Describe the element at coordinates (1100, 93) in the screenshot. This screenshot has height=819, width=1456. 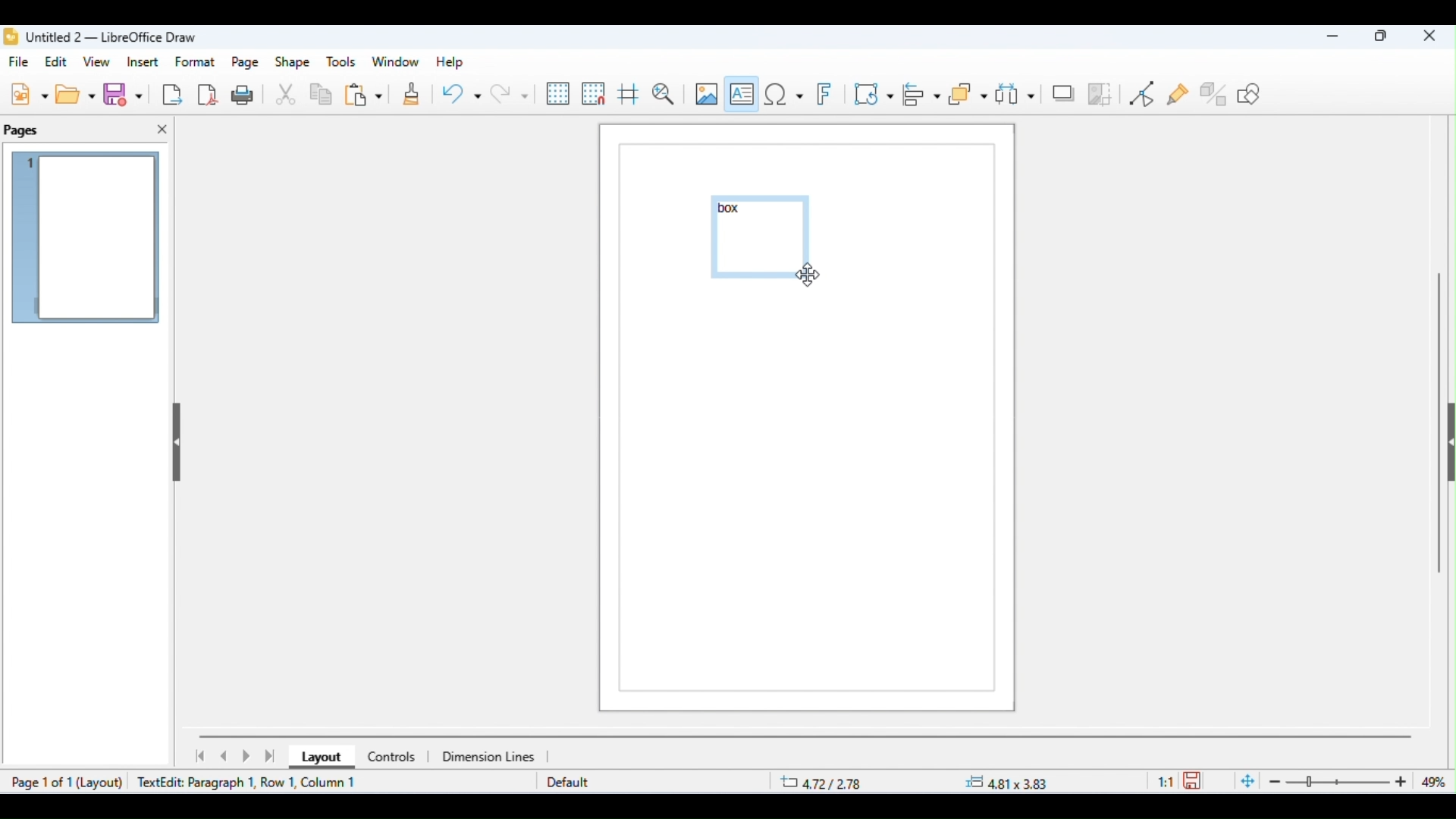
I see `crop` at that location.